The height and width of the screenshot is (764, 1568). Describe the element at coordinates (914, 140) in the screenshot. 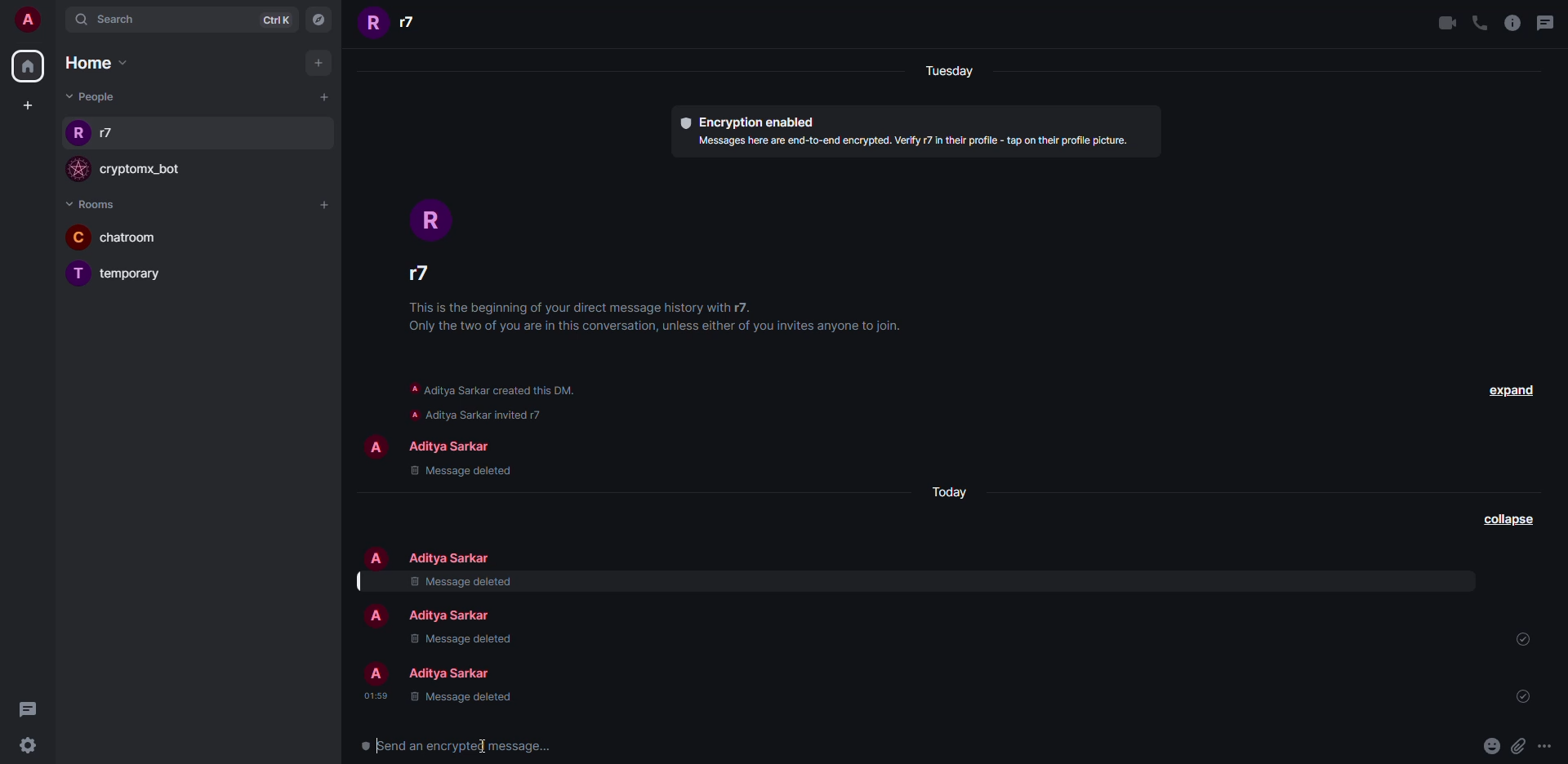

I see `info` at that location.